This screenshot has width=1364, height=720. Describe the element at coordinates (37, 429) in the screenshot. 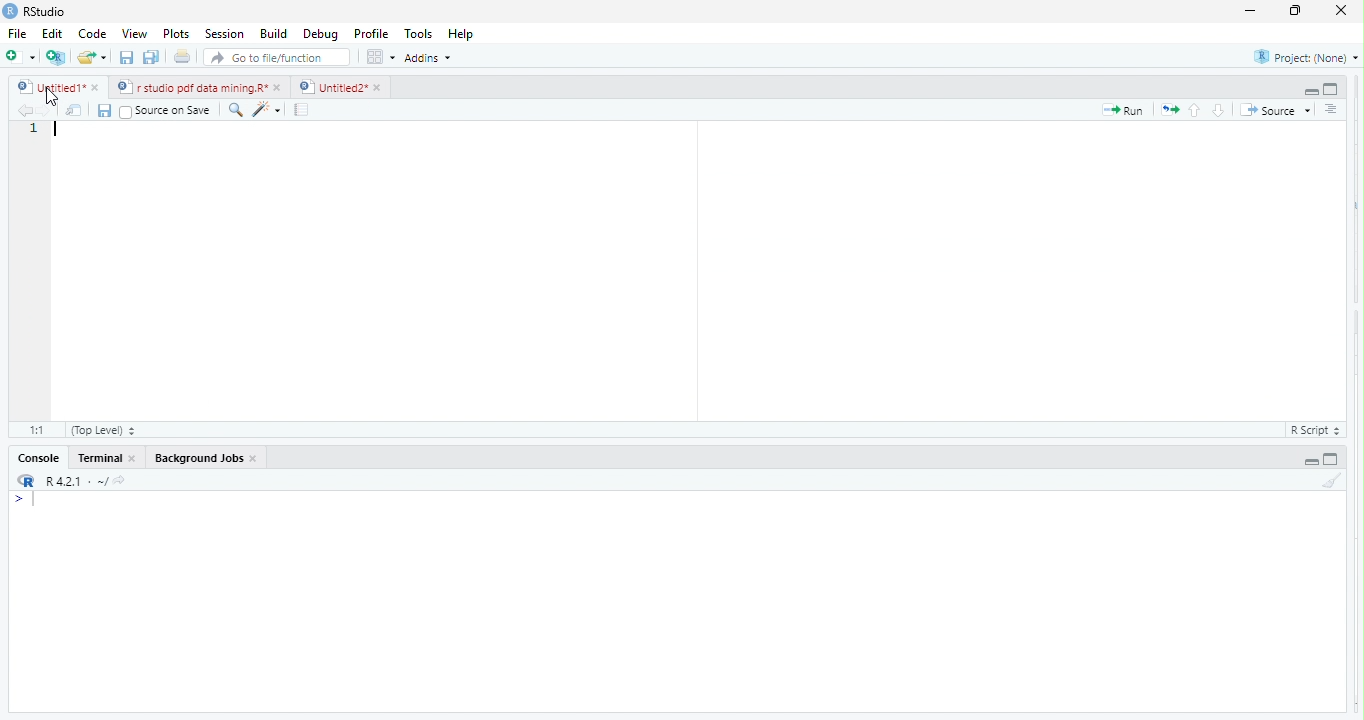

I see `1:1` at that location.